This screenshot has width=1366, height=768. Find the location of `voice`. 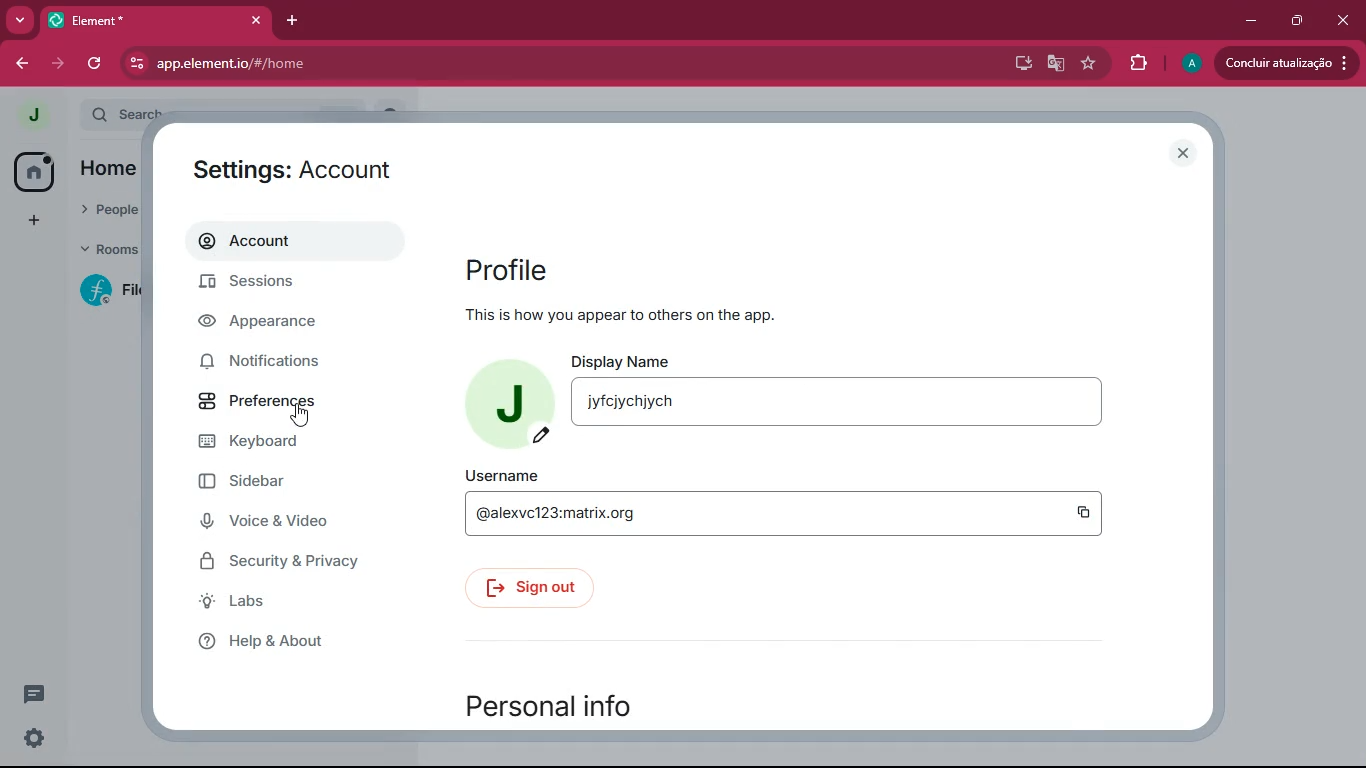

voice is located at coordinates (276, 523).